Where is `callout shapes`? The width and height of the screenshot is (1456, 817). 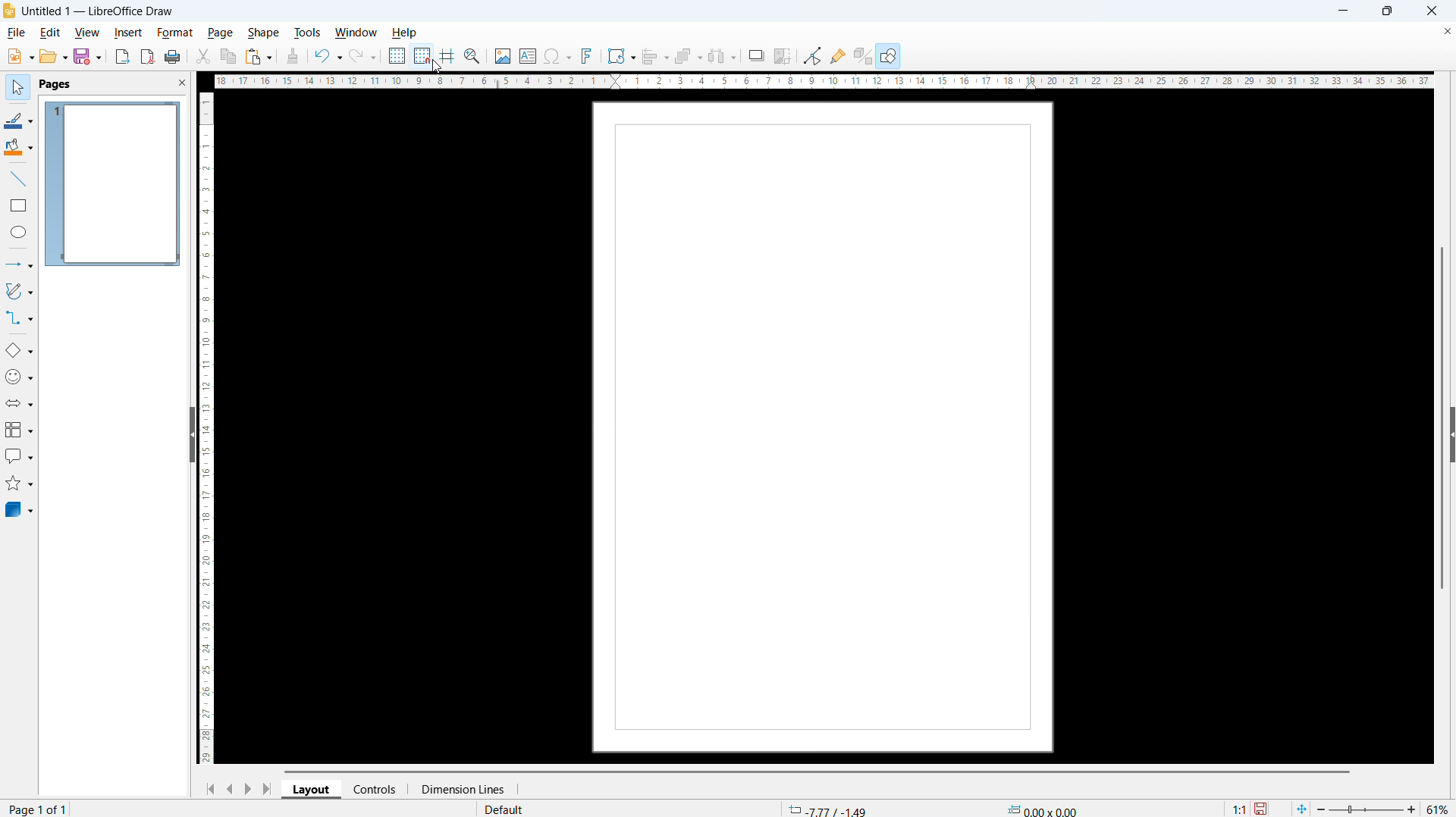 callout shapes is located at coordinates (19, 456).